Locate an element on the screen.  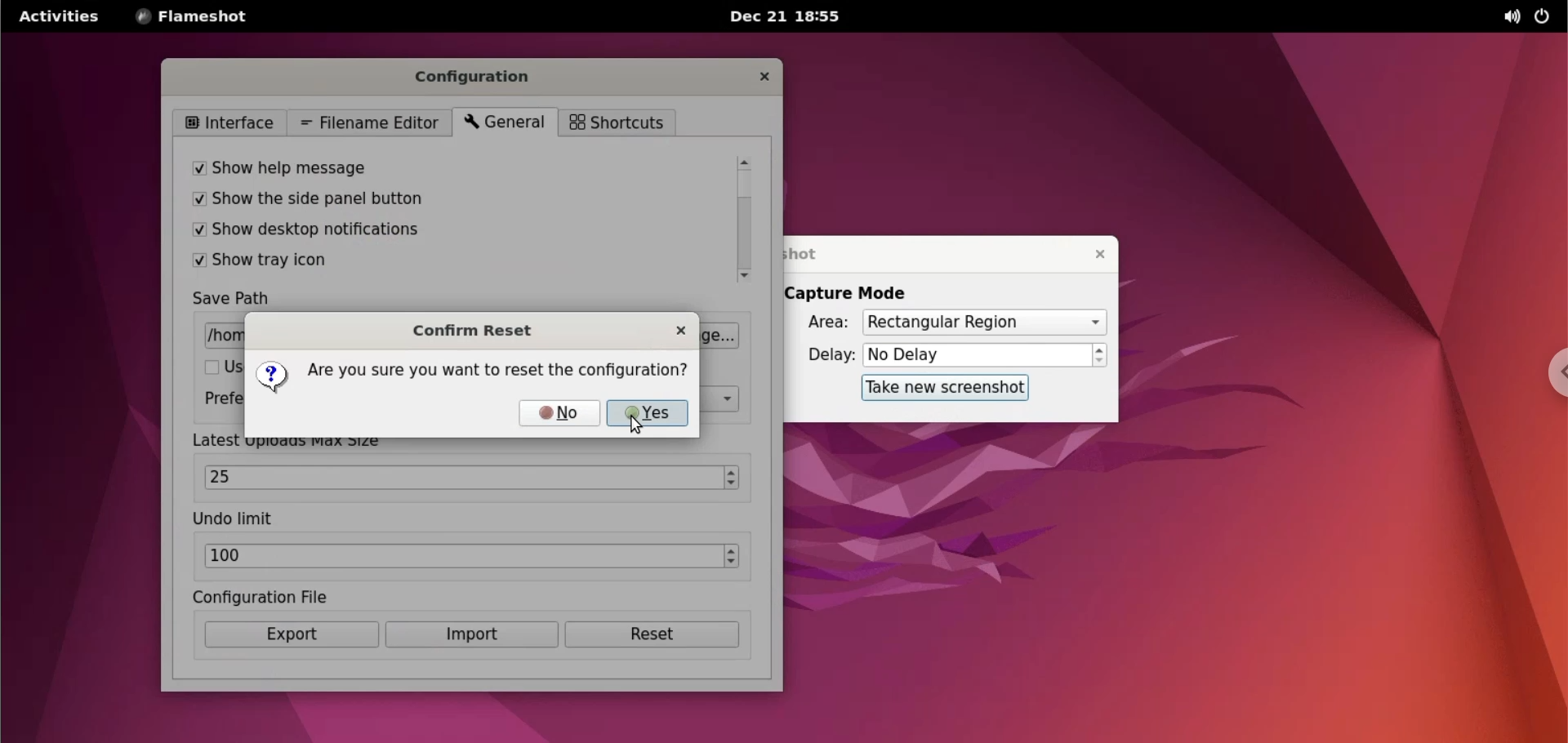
power options is located at coordinates (1543, 17).